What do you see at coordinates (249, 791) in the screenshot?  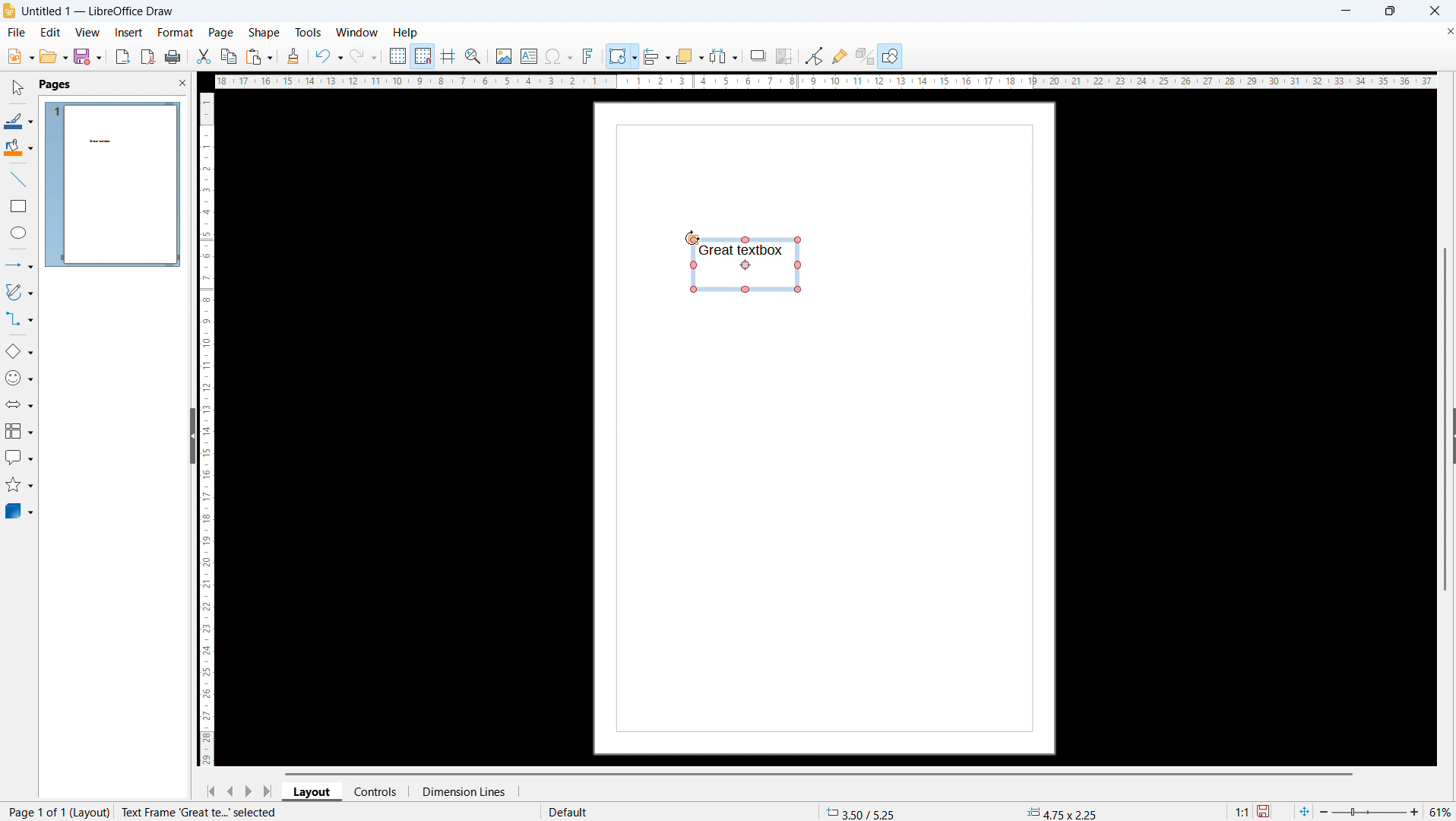 I see `next page` at bounding box center [249, 791].